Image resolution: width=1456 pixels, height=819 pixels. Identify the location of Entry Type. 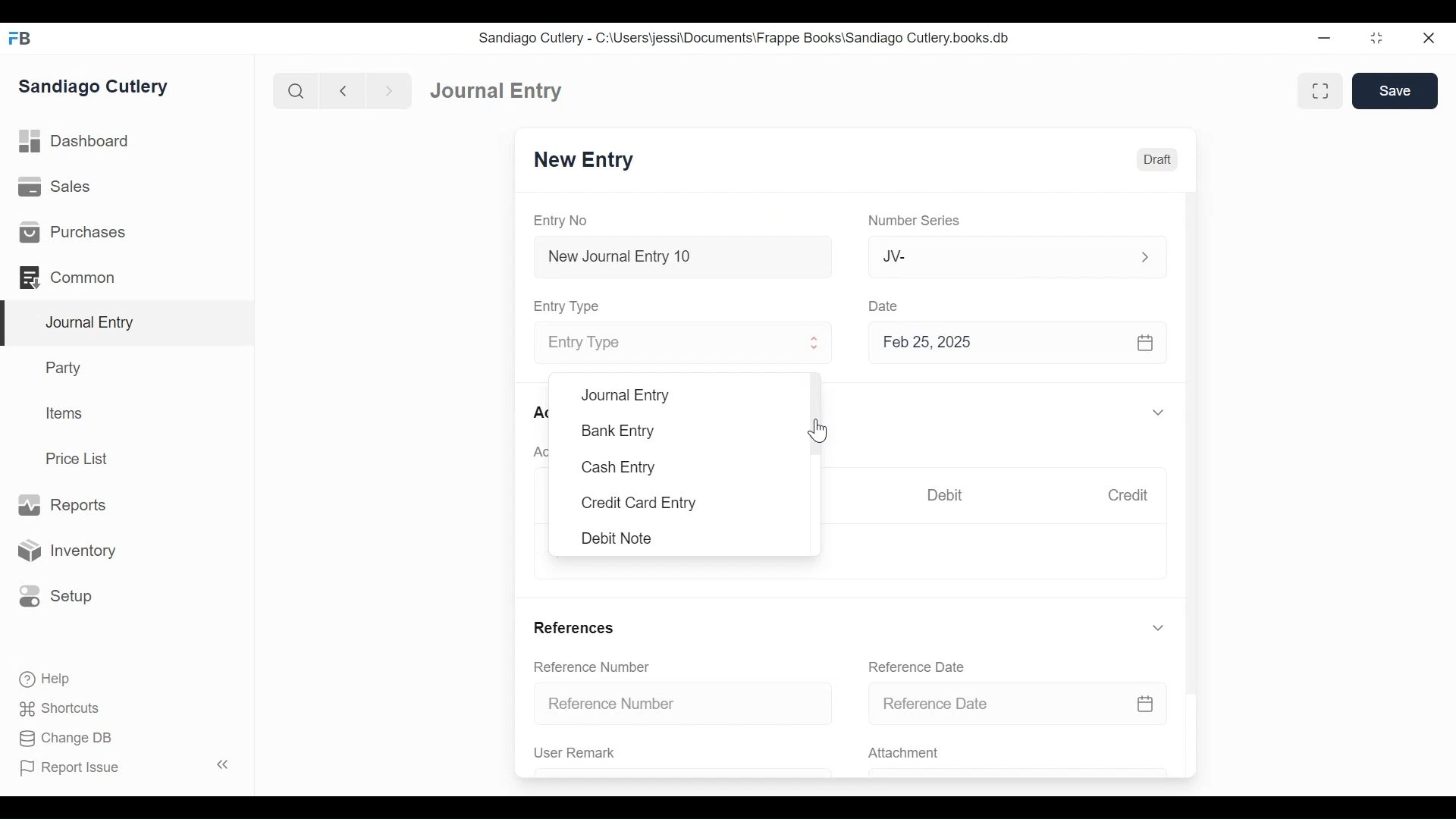
(571, 306).